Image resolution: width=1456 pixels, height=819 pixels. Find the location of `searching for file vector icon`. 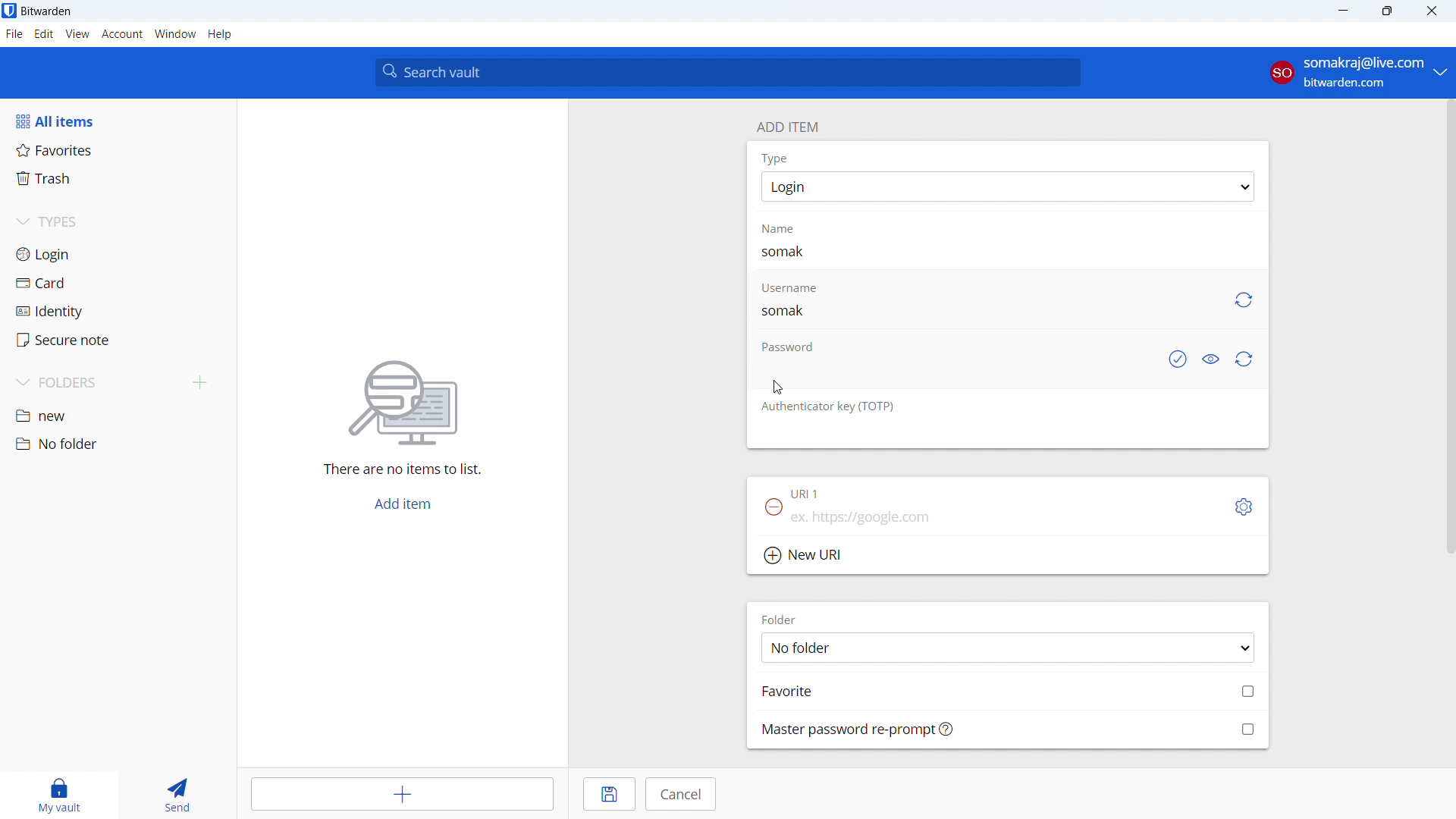

searching for file vector icon is located at coordinates (402, 403).